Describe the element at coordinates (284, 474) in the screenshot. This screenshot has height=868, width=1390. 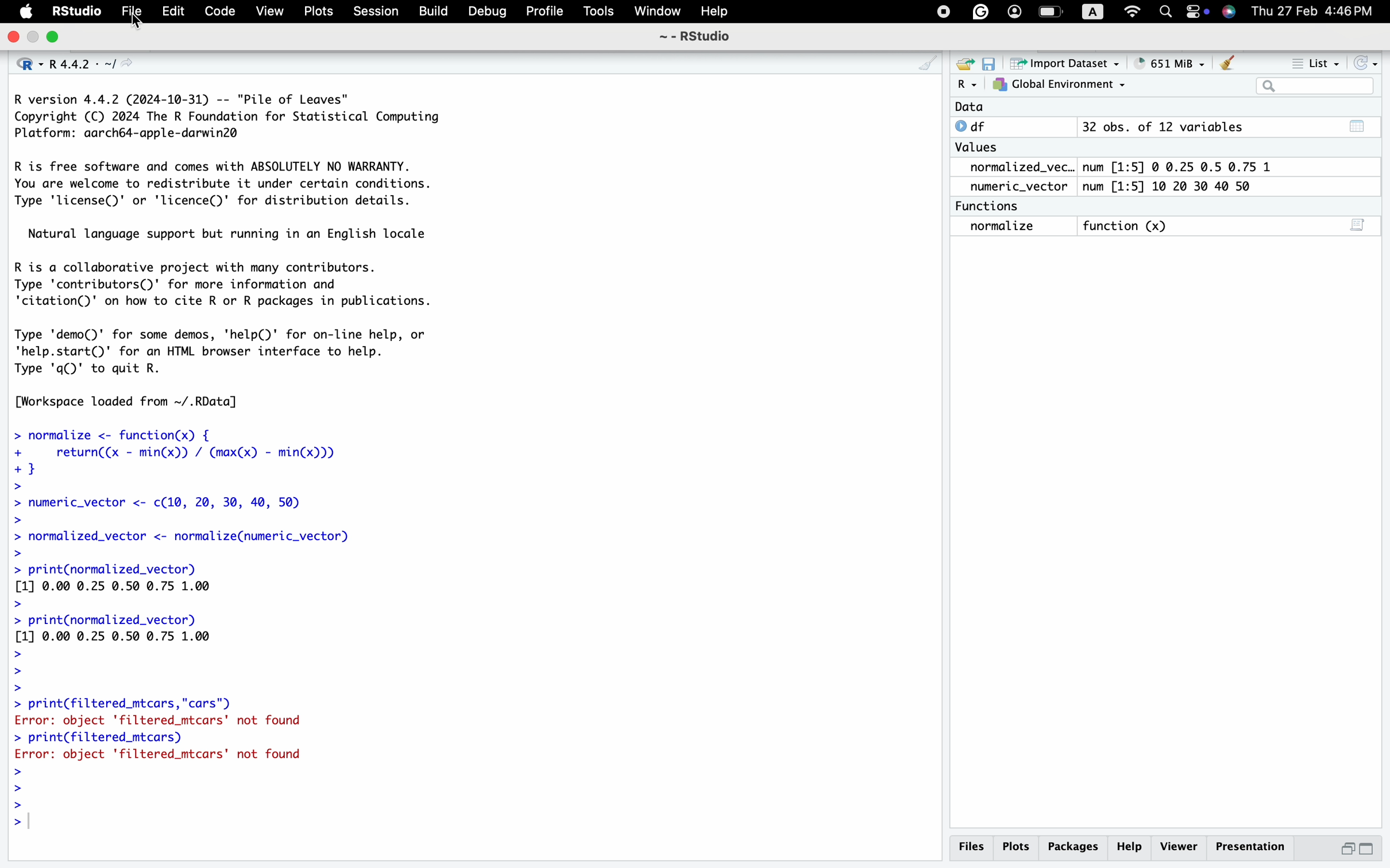
I see `R version 4.4.2 (2024-10-31) -- "Pile of Leaves"Copyright (C) 2024 The R Foundation for Statistical ComputingPlatform: aarch64-apple-darwin2@R is free software and comes with ABSOLUTELY NO WARRANTY.You are welcome to redistribute it under certain conditions.Type 'license()' or 'licence()' for distribution details.Natural language support but running in an English localeR is a collaborative project with many contributors.Type 'contributors()' for more information and'citation()' on how to cite R or R packages in publications.Type 'demo()' for some demos, 'help()' for on-line help, or'help.start()' for an HTML browser interface to help.Type 'q()' to quit R.[Workspace loaded from ~/.RData]> normalize <- function(x) {+ return((x - min(x)) / (max(x) - min(x)))+}>> numeric_vector <- c(10, 20, 30, 40, 50)>> normalized_vector <- normalize(numeric_vector)>> print(normalized_vector)[1] 0.00 ©.25 0.50 0.75 1.00>> print(normalized_vector)[1] 0.00 ©.25 0.50 0.75 1.00>>>> print(filtered_mtcars,"cars")Error: object 'filtered_mtcars' not found> print(filtered_mtcars)Error: object 'filtered_mtcars' not found>>>>` at that location.